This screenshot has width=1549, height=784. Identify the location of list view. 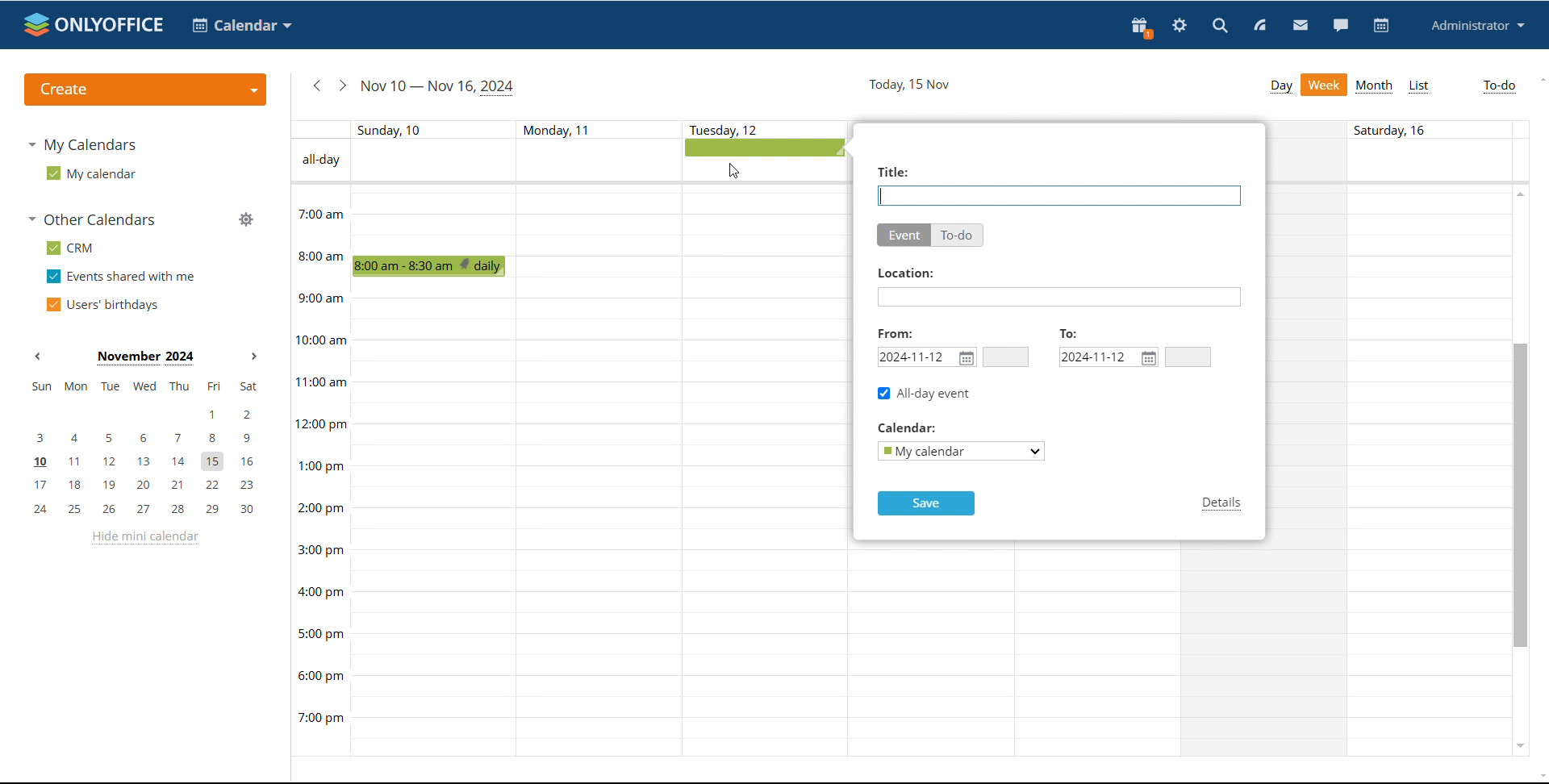
(1420, 86).